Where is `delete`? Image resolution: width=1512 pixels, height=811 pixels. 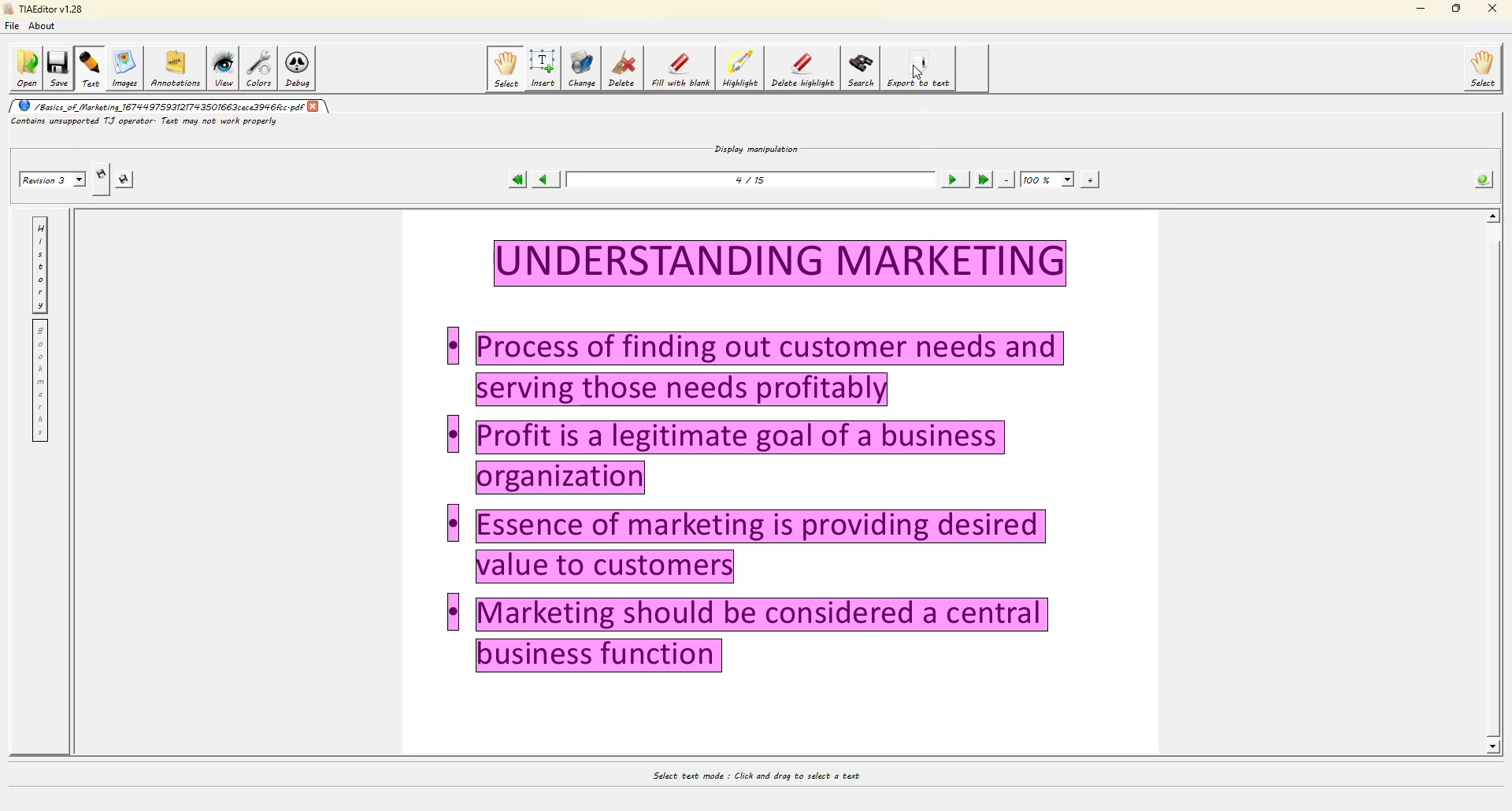
delete is located at coordinates (621, 69).